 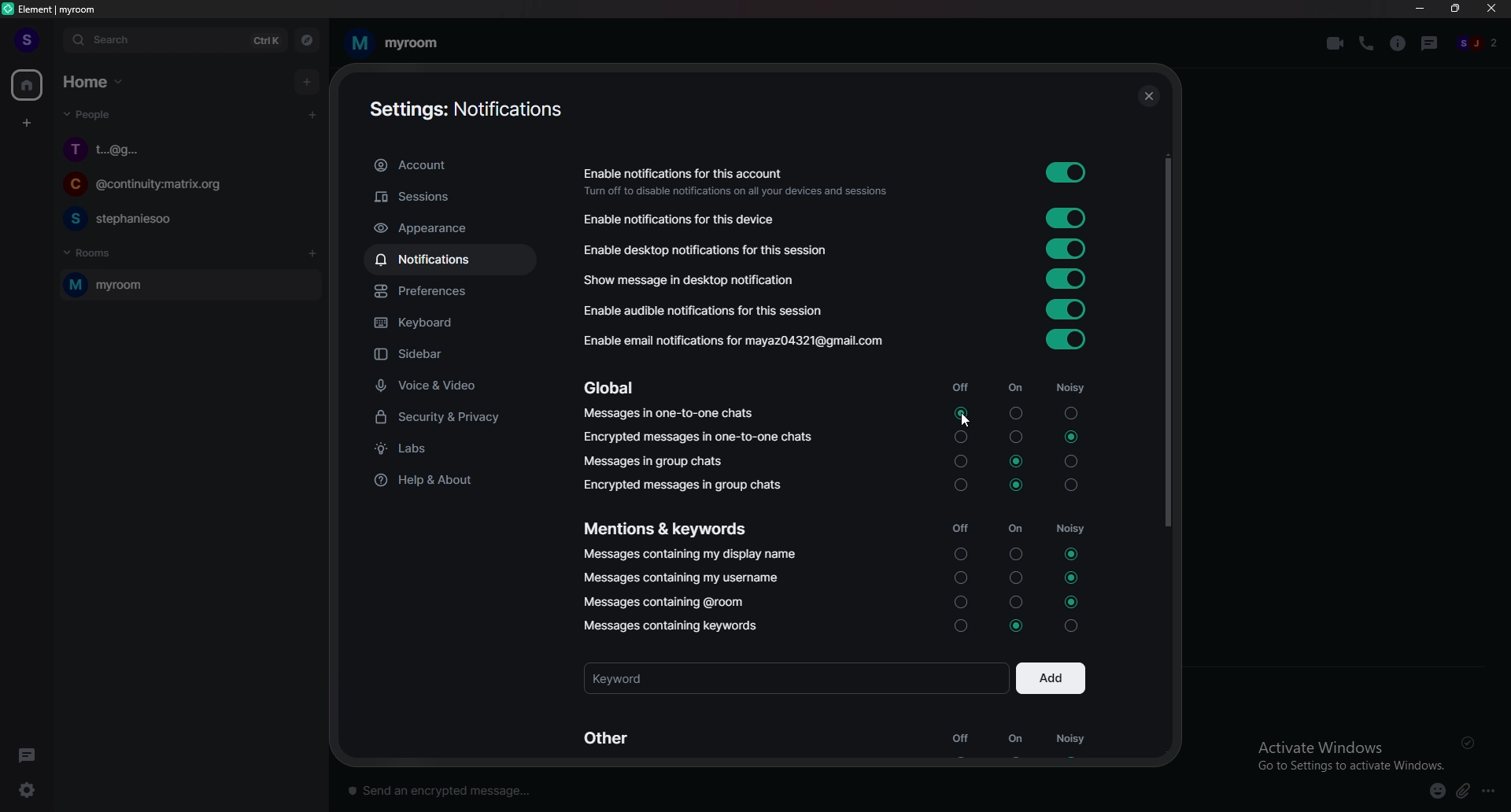 I want to click on settings, so click(x=30, y=788).